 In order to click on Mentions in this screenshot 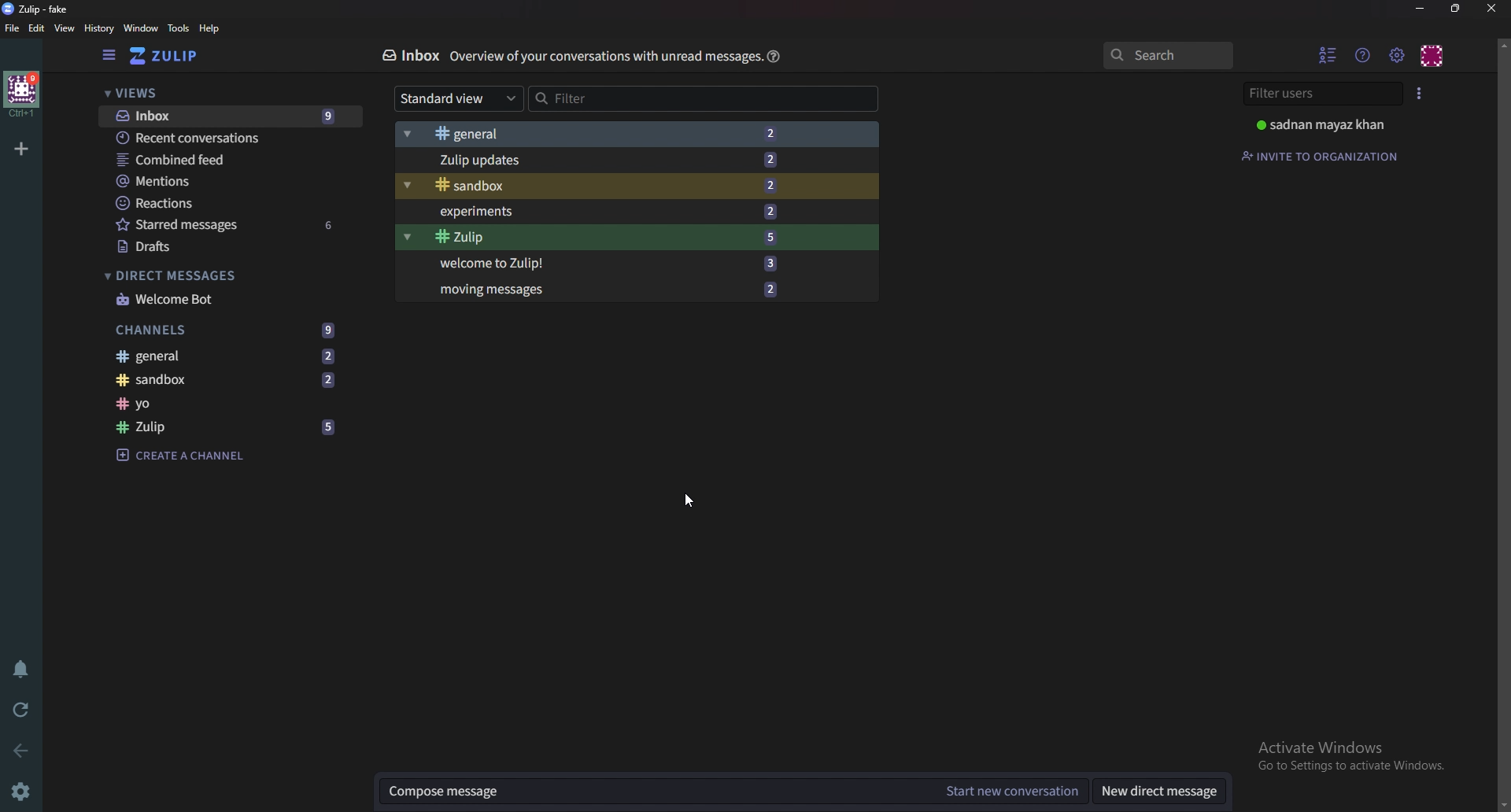, I will do `click(210, 182)`.